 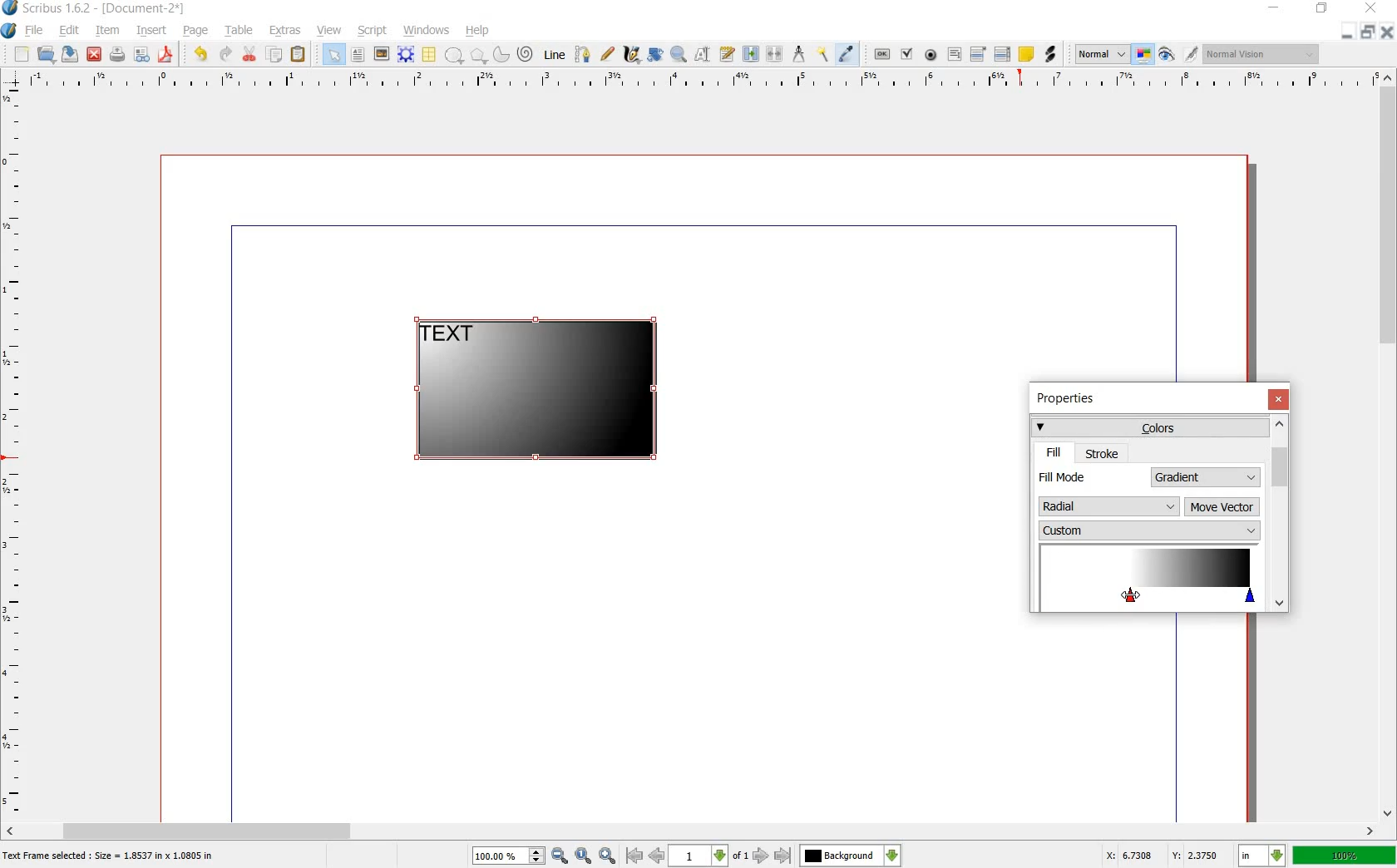 I want to click on preflight verifier, so click(x=141, y=55).